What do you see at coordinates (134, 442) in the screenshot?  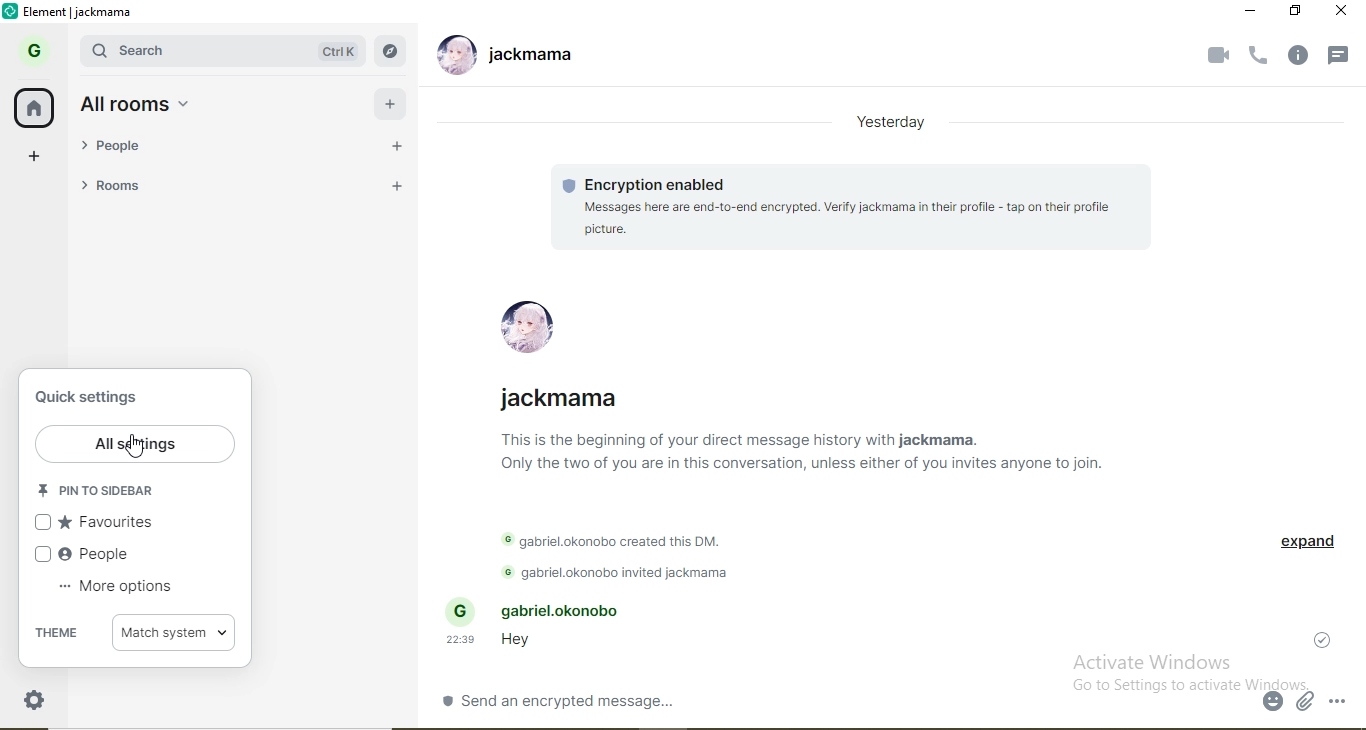 I see `all settings` at bounding box center [134, 442].